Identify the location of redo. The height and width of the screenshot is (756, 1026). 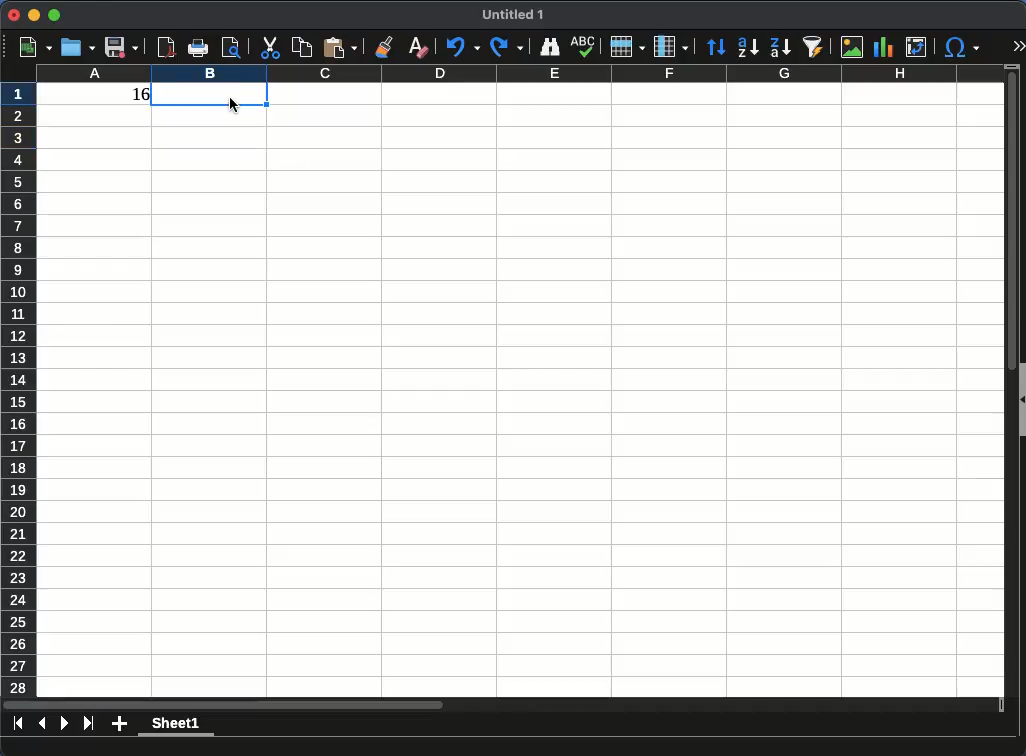
(507, 47).